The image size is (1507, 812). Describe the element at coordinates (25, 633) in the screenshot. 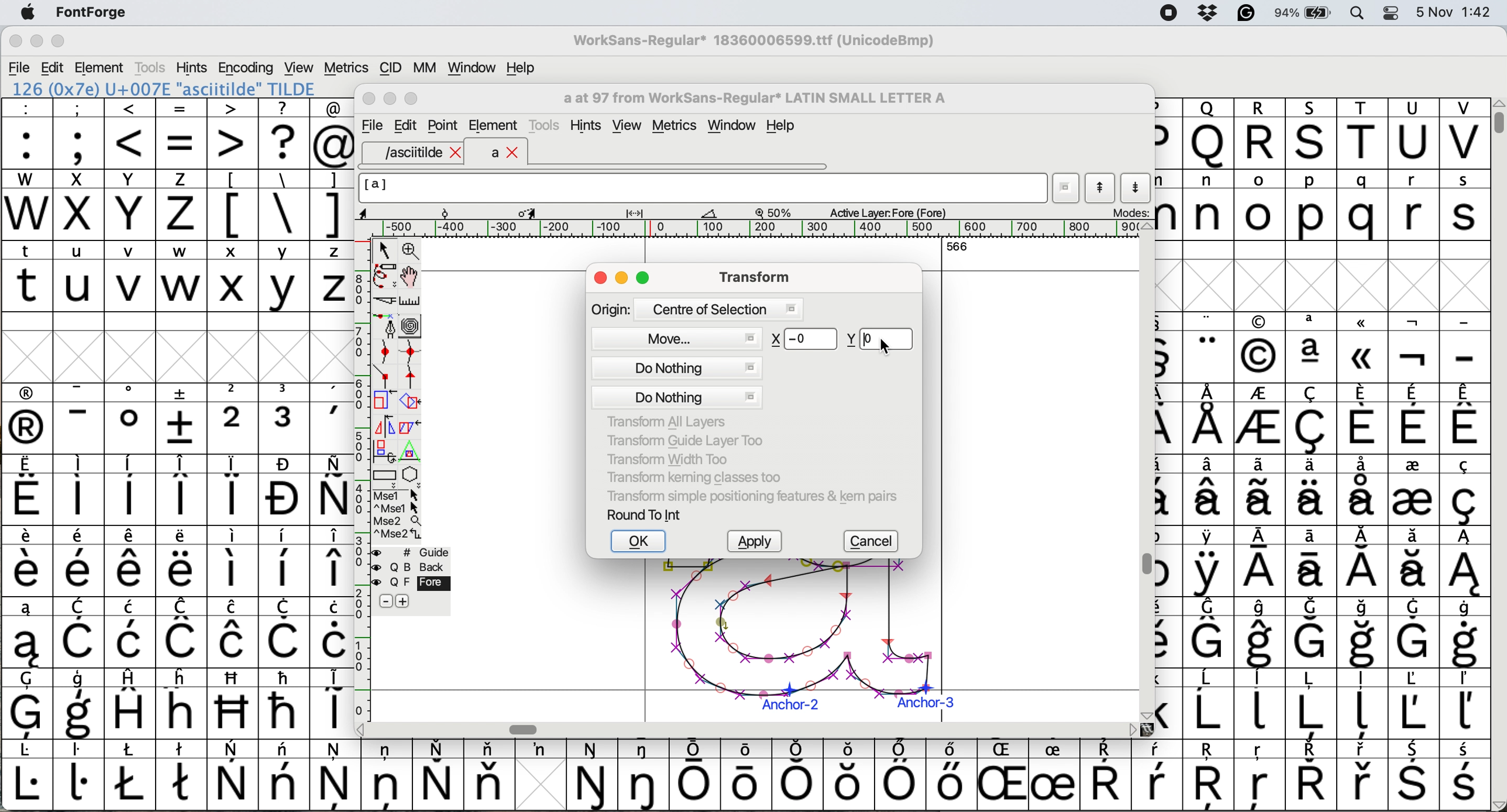

I see `symbol` at that location.